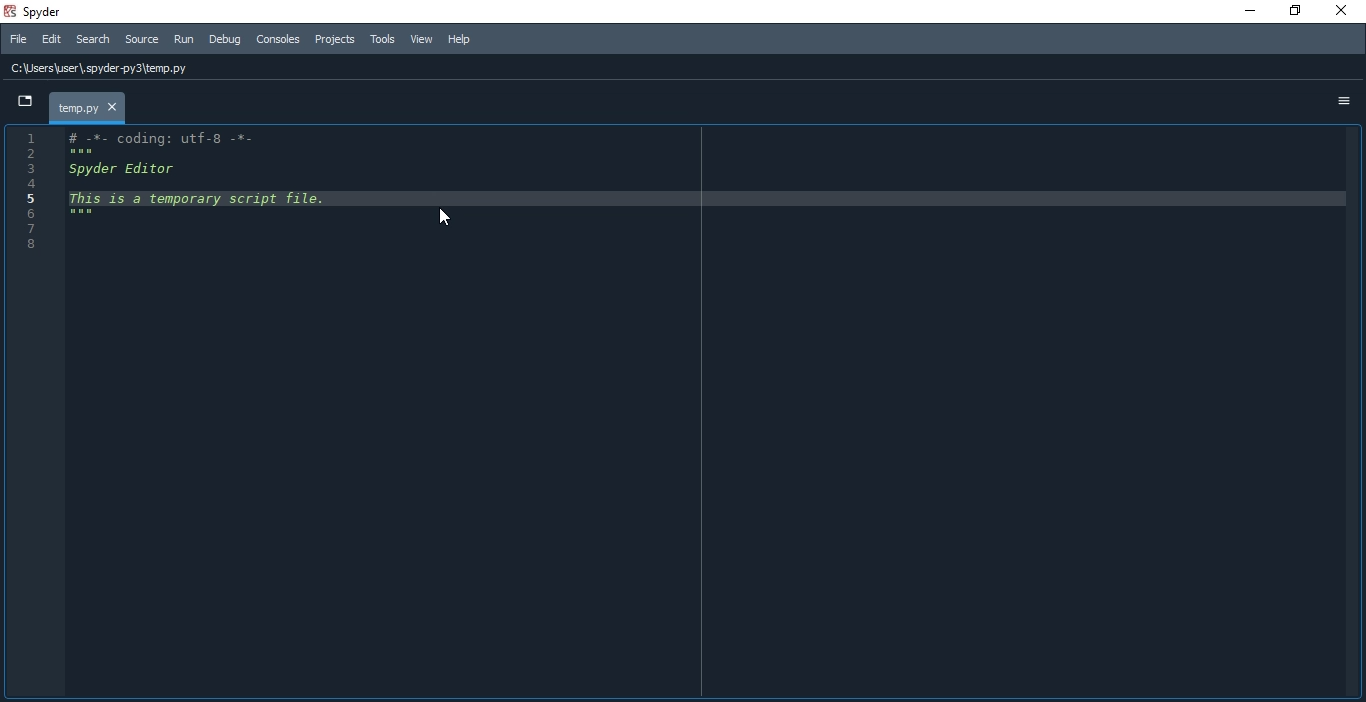 This screenshot has width=1366, height=702. What do you see at coordinates (94, 42) in the screenshot?
I see `Search` at bounding box center [94, 42].